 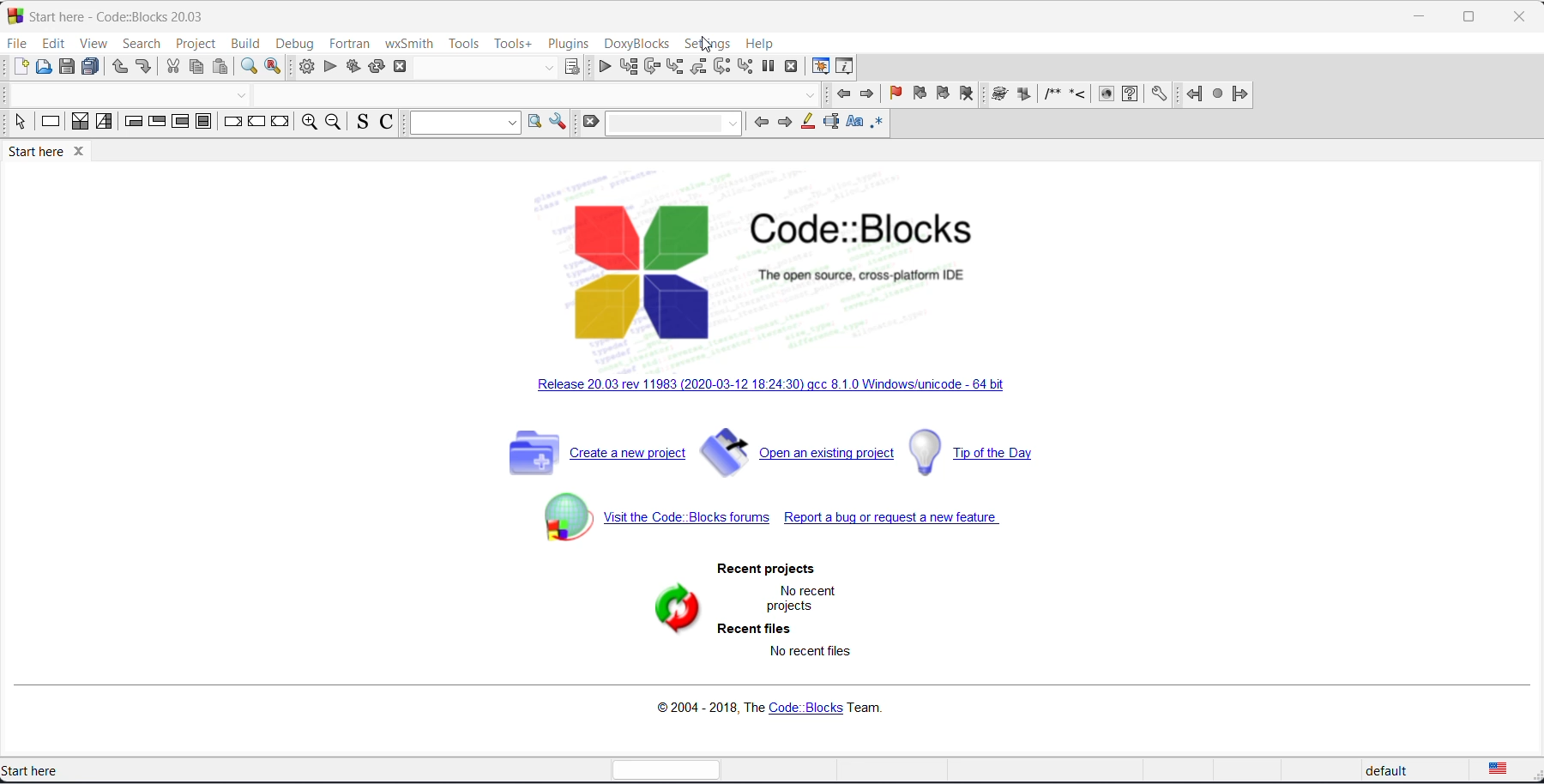 I want to click on run from cursor, so click(x=628, y=67).